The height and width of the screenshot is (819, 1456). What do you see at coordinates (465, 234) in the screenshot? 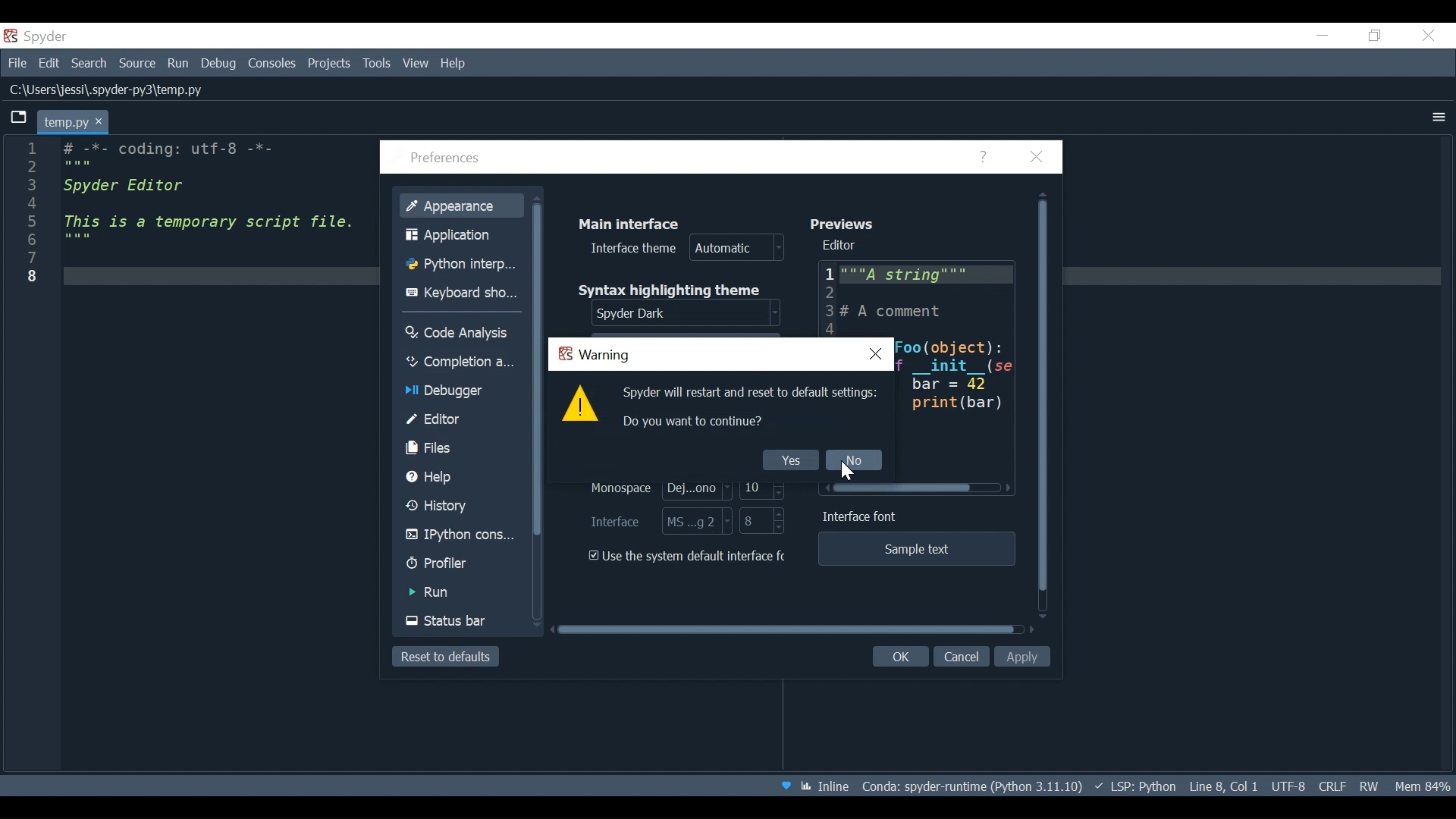
I see `Application` at bounding box center [465, 234].